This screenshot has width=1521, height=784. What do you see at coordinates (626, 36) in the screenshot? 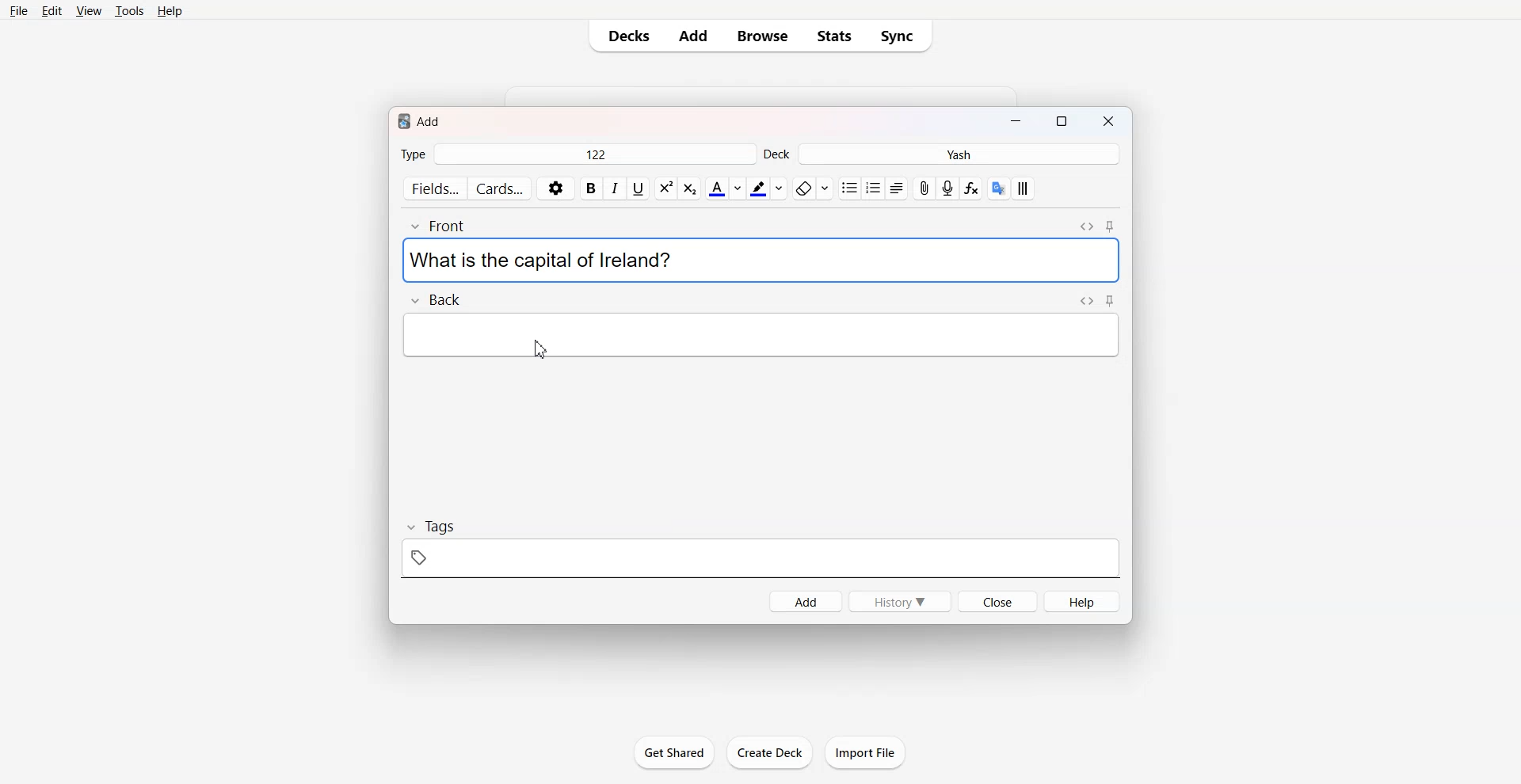
I see `Decks` at bounding box center [626, 36].